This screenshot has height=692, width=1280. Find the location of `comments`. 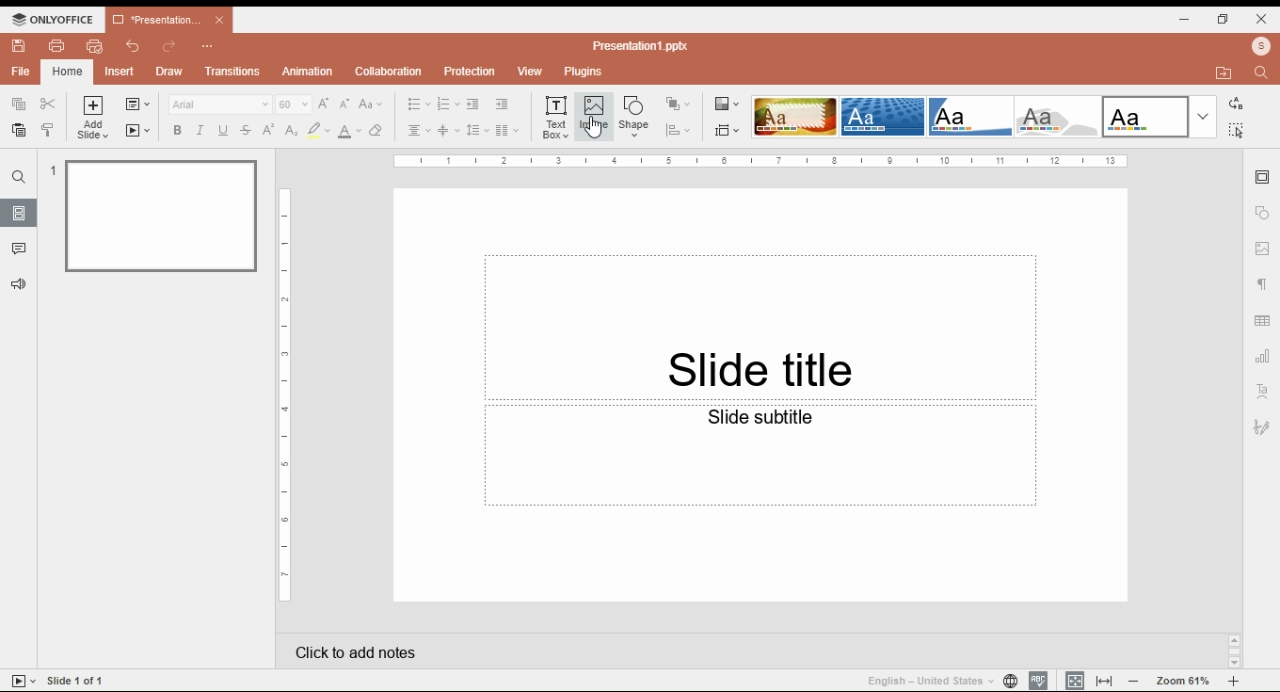

comments is located at coordinates (20, 250).